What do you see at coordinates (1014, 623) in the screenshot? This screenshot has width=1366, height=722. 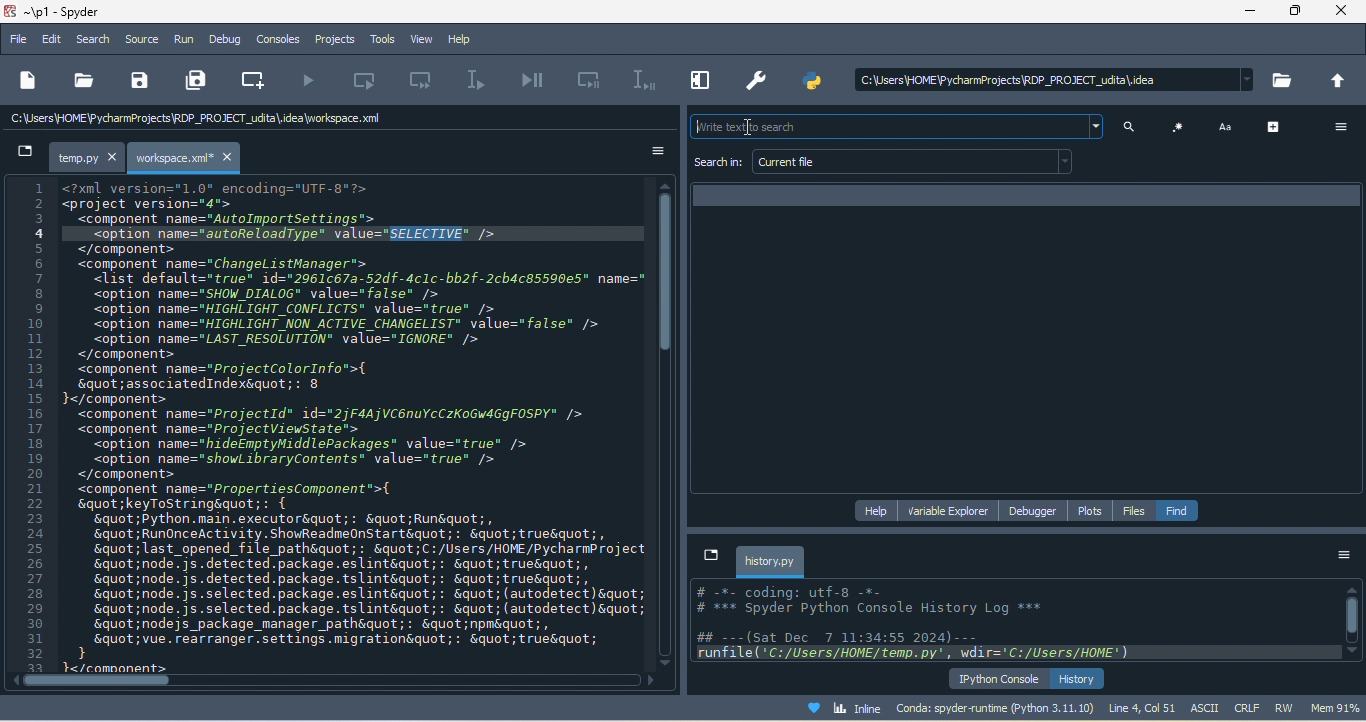 I see `ipython console pane text` at bounding box center [1014, 623].